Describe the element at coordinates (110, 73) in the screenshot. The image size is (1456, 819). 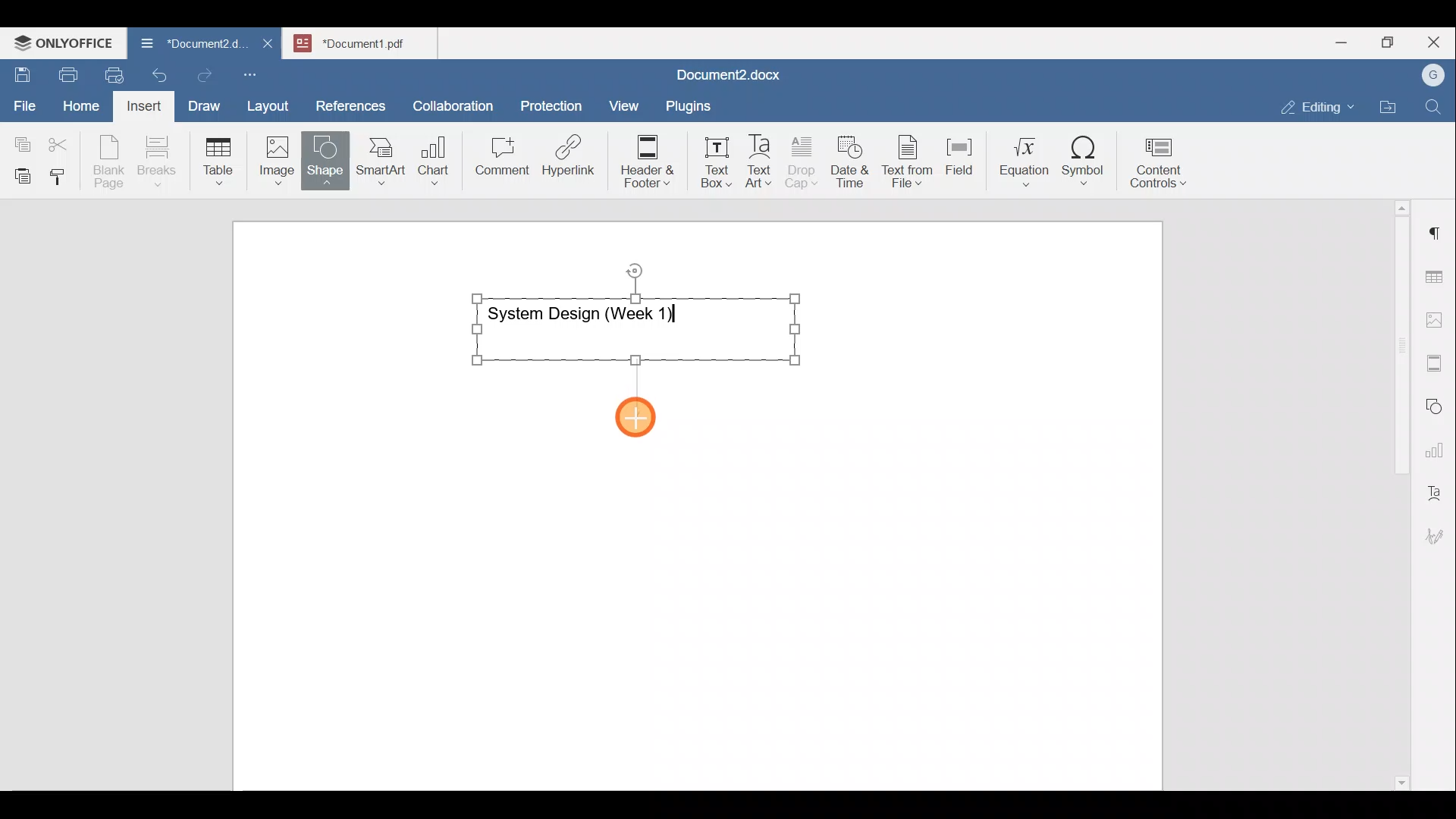
I see `Quick print` at that location.